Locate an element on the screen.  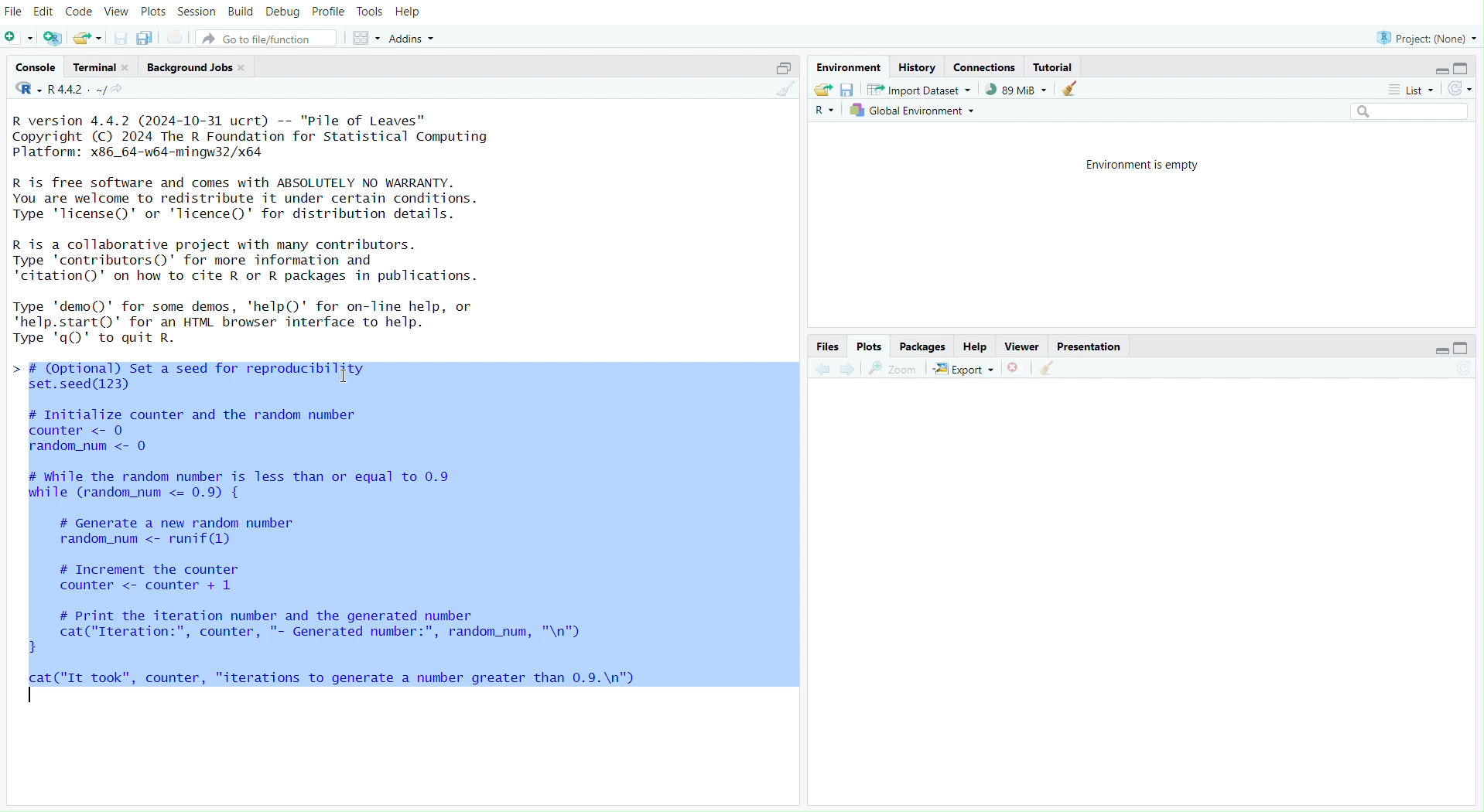
Debug is located at coordinates (281, 12).